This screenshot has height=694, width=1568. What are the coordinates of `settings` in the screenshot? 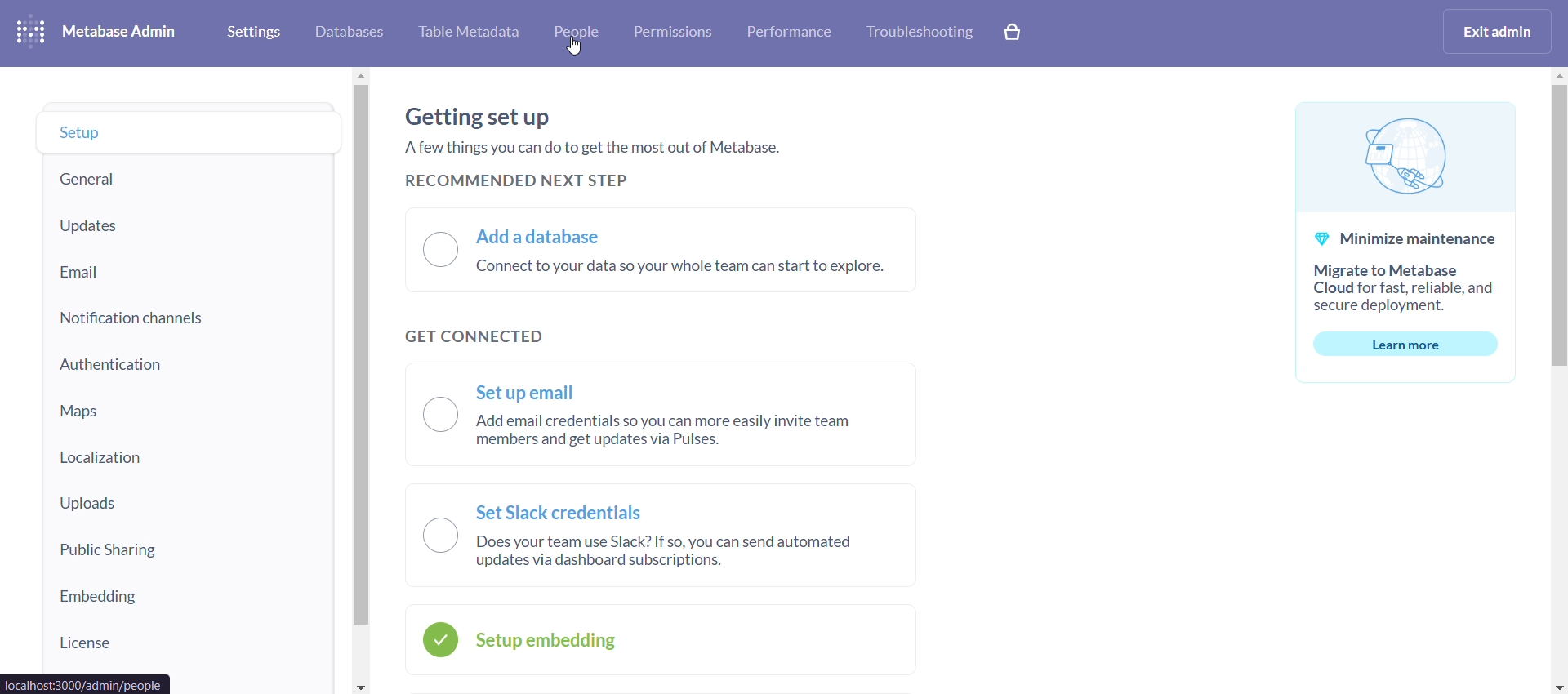 It's located at (252, 31).